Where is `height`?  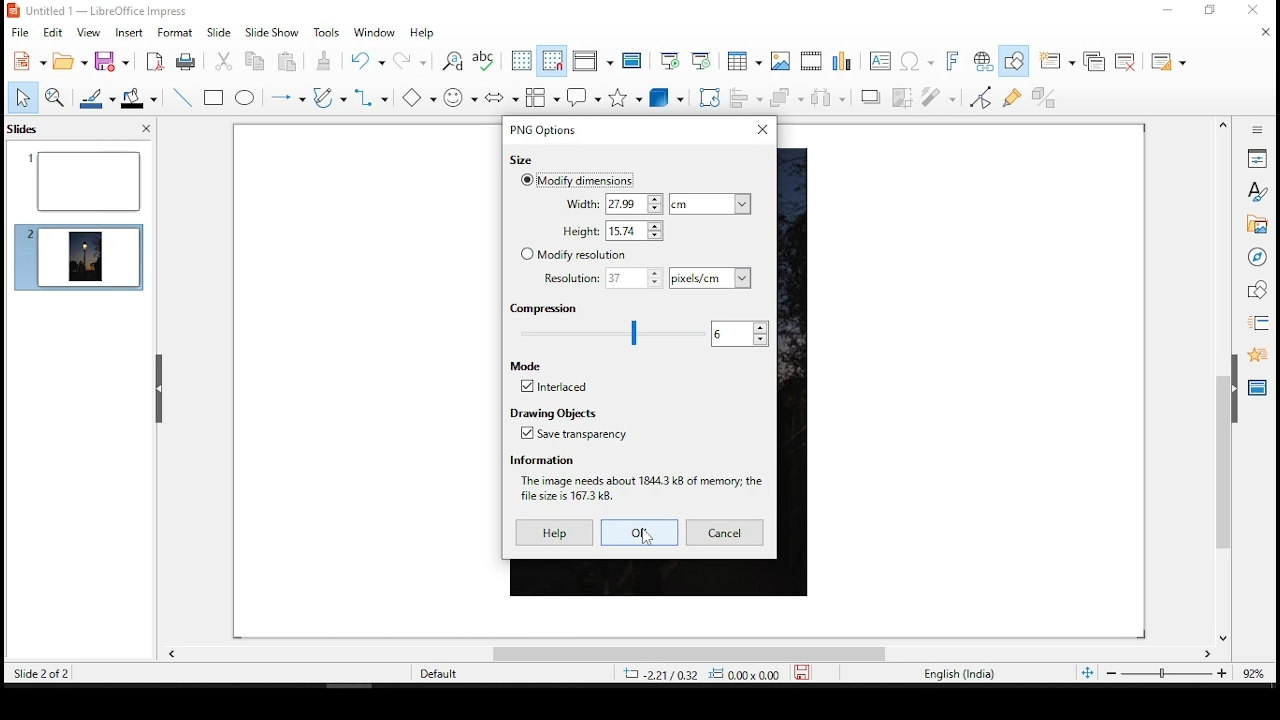 height is located at coordinates (612, 231).